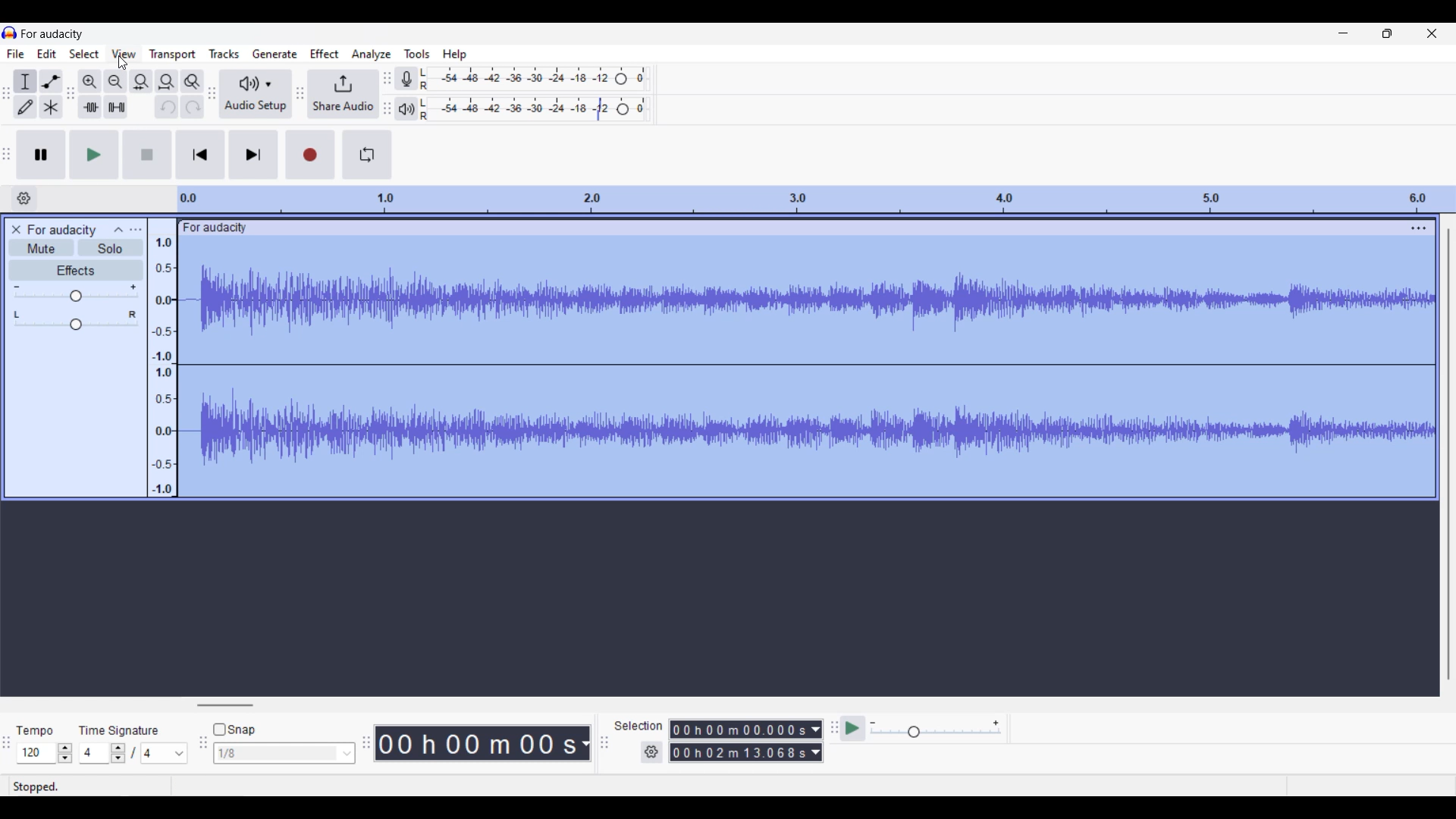 The image size is (1456, 819). Describe the element at coordinates (1432, 33) in the screenshot. I see `Close interface` at that location.